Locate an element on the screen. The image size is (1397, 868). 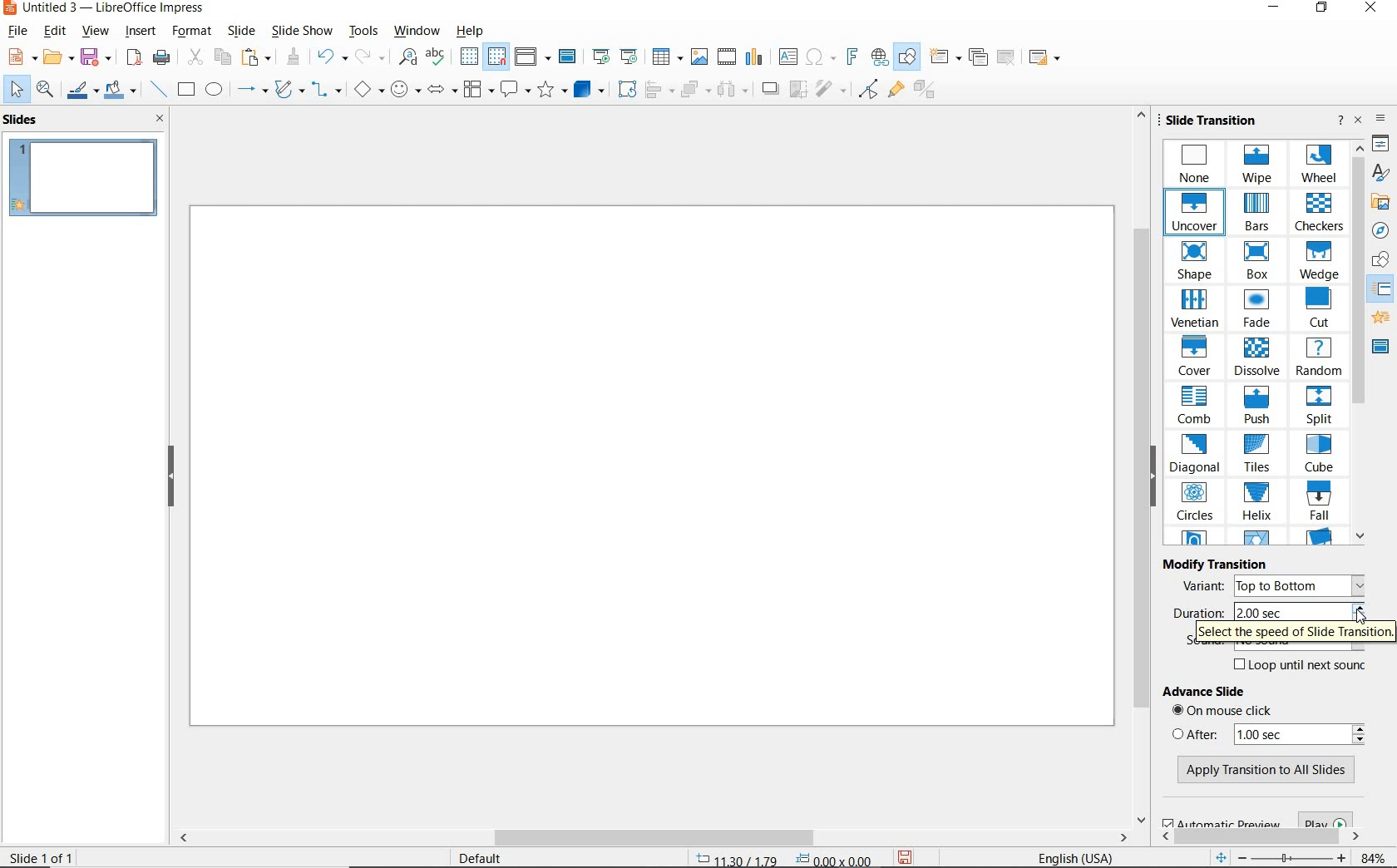
OTHER SLIDE TRANSITION is located at coordinates (1257, 538).